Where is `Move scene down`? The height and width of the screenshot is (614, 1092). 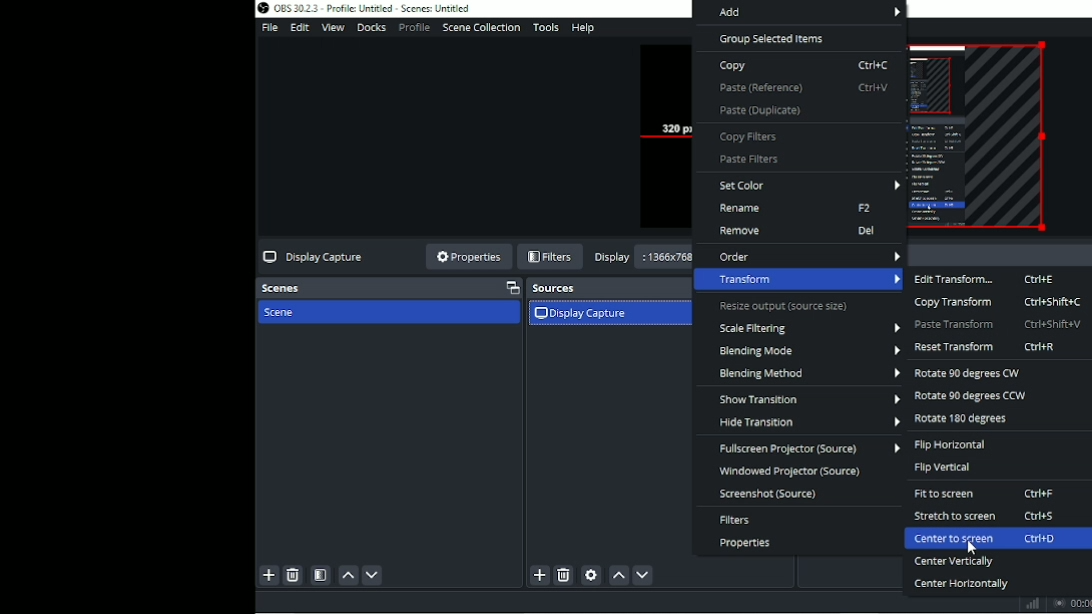 Move scene down is located at coordinates (374, 575).